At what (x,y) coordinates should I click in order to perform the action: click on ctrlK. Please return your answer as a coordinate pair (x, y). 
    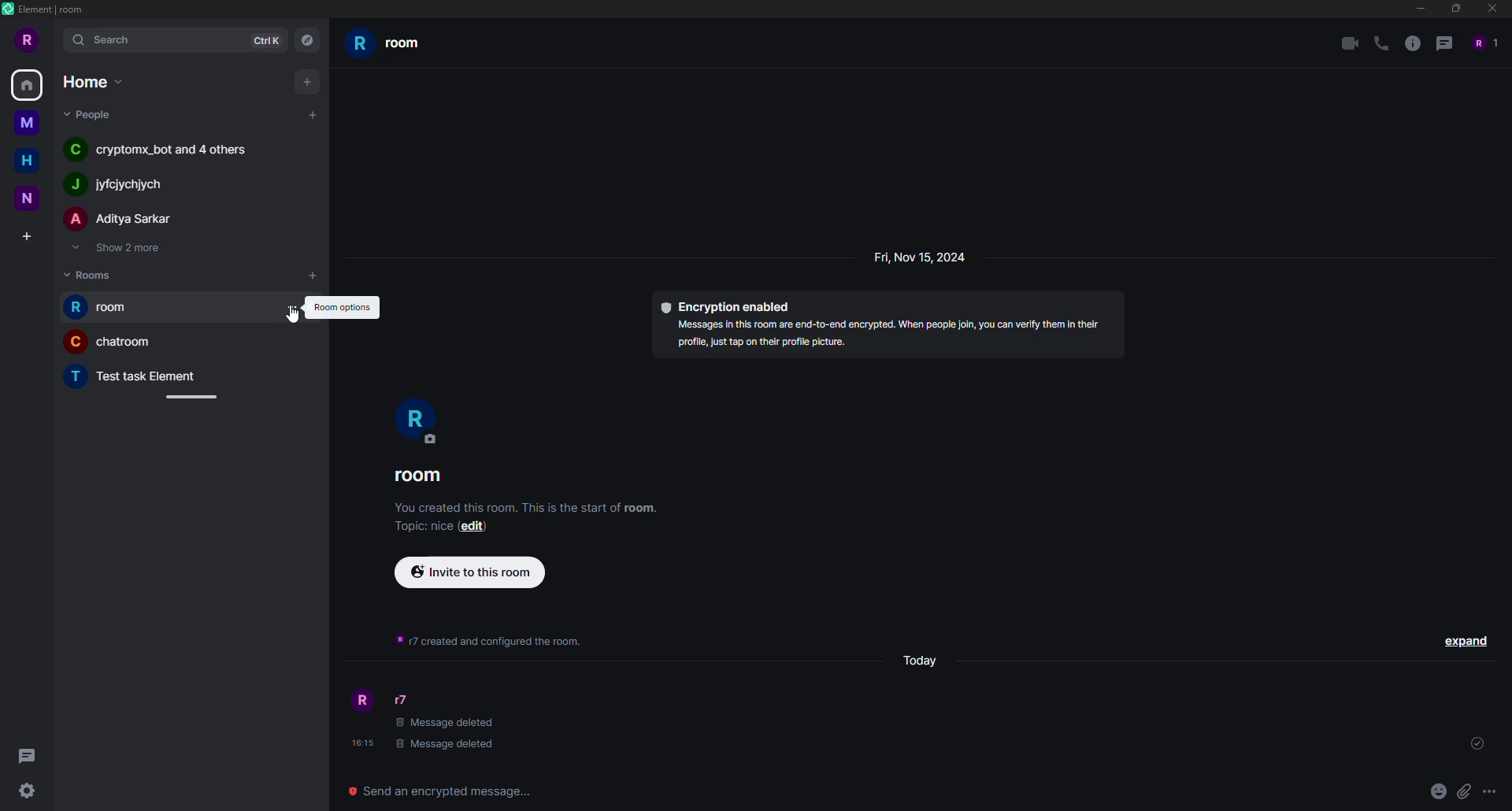
    Looking at the image, I should click on (266, 39).